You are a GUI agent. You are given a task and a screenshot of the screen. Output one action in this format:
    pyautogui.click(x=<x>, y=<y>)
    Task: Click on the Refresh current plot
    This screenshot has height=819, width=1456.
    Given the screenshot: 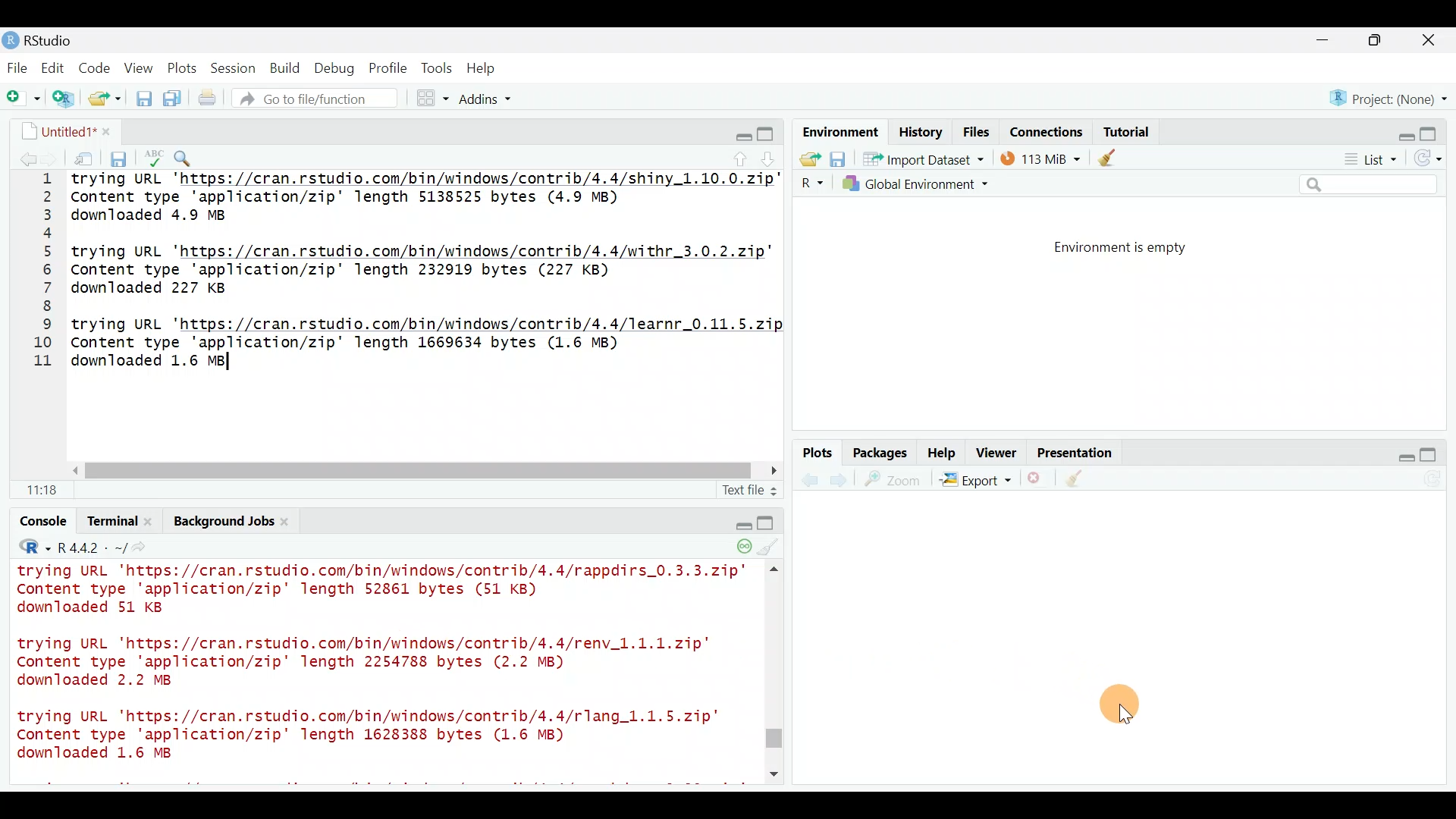 What is the action you would take?
    pyautogui.click(x=1437, y=480)
    